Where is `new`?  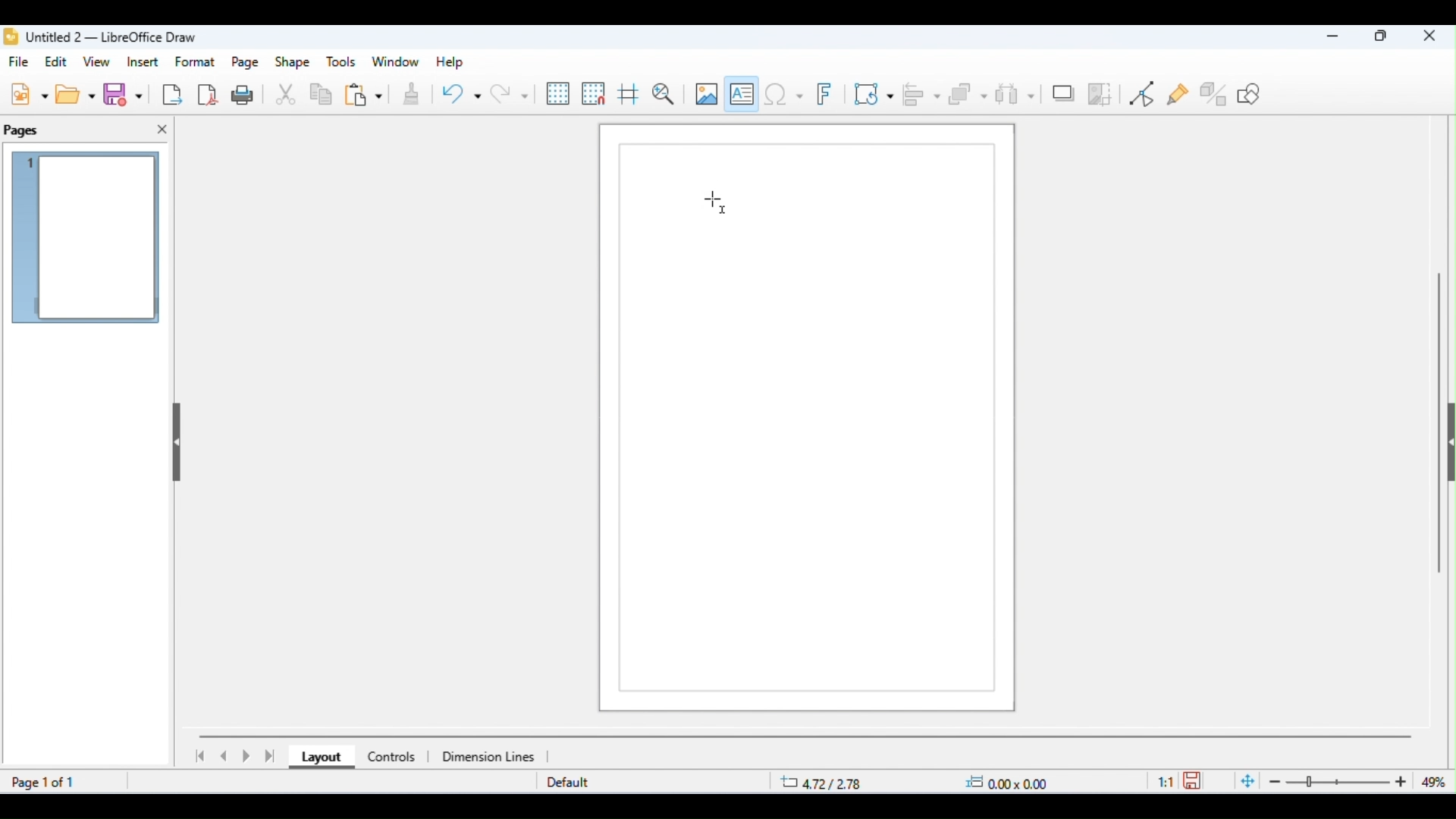
new is located at coordinates (29, 93).